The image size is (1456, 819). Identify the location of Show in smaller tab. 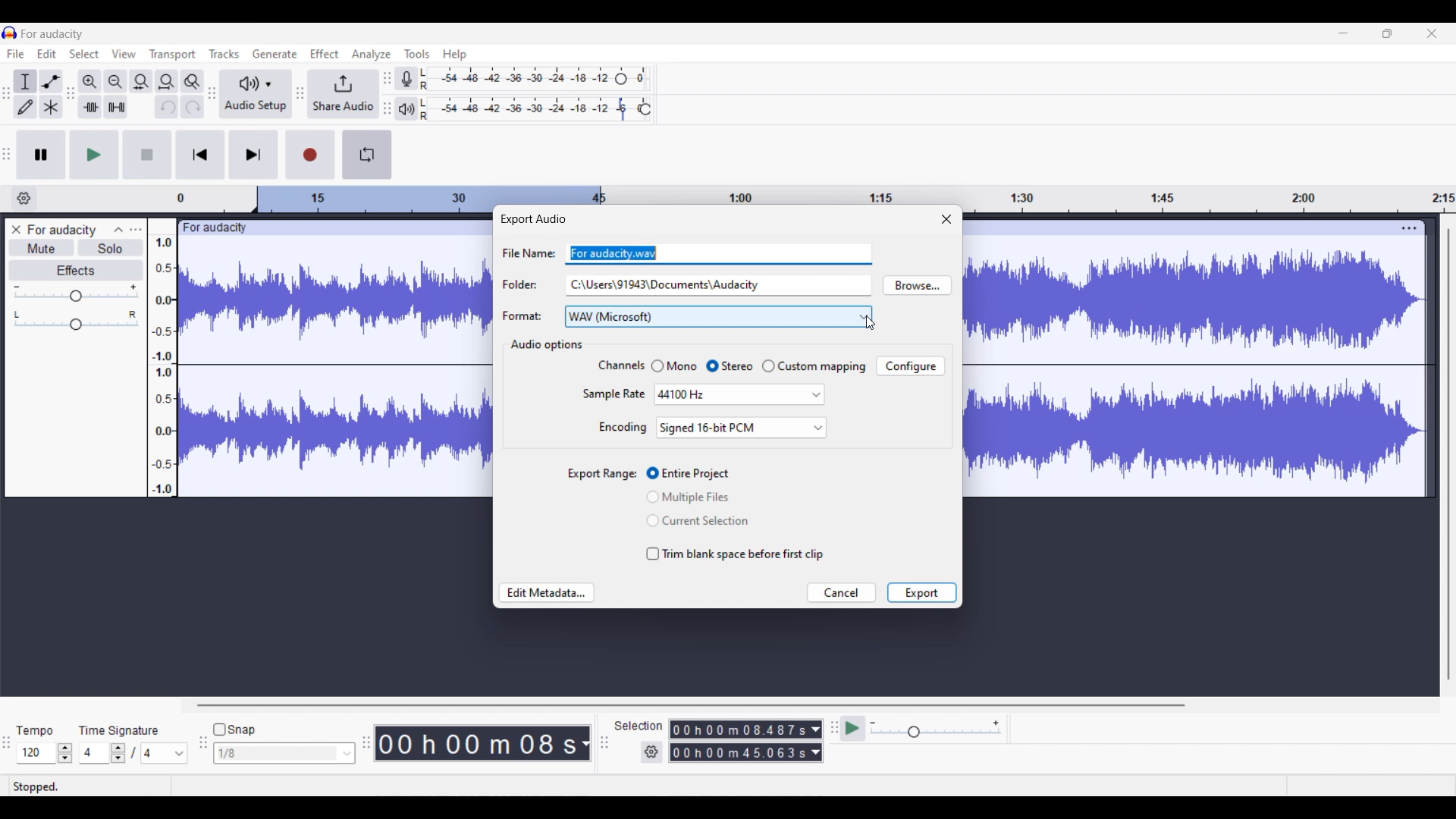
(1387, 33).